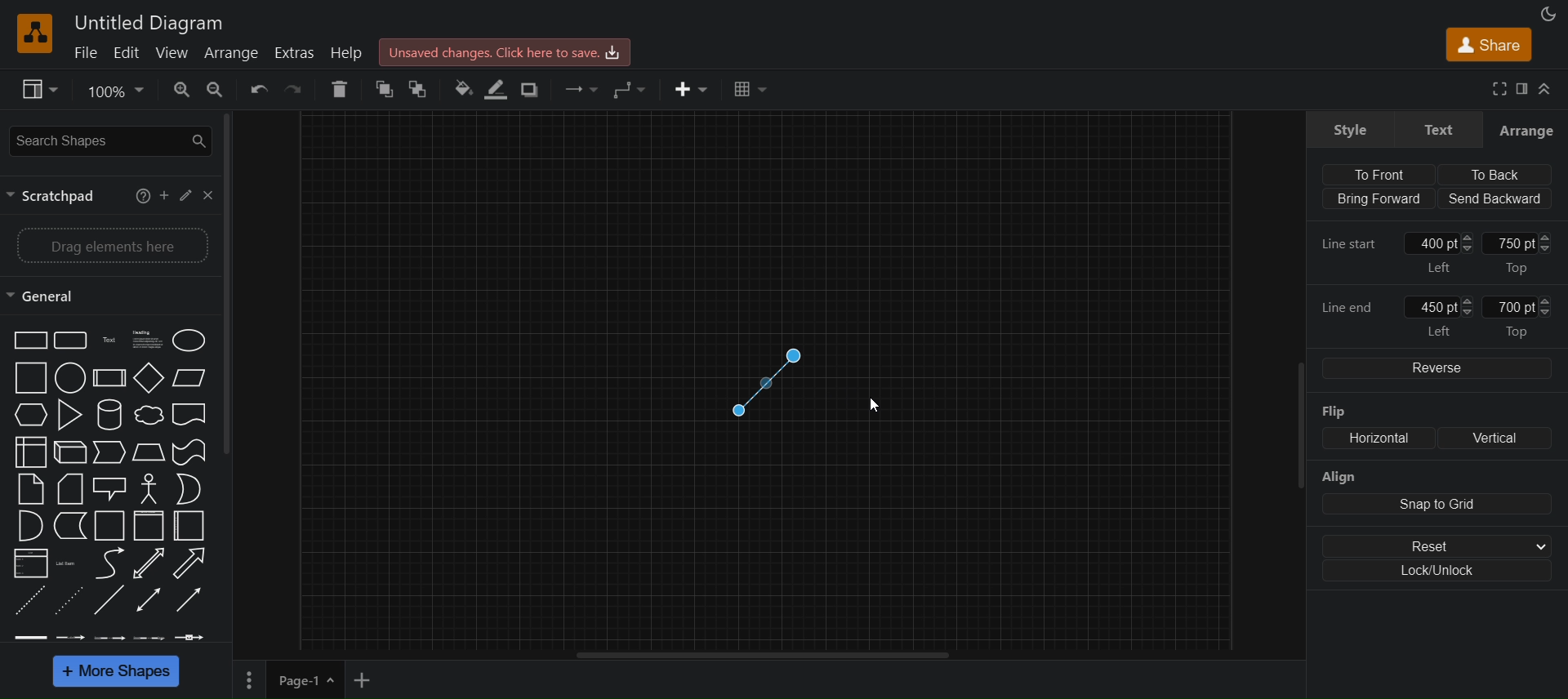  I want to click on waypoints, so click(633, 91).